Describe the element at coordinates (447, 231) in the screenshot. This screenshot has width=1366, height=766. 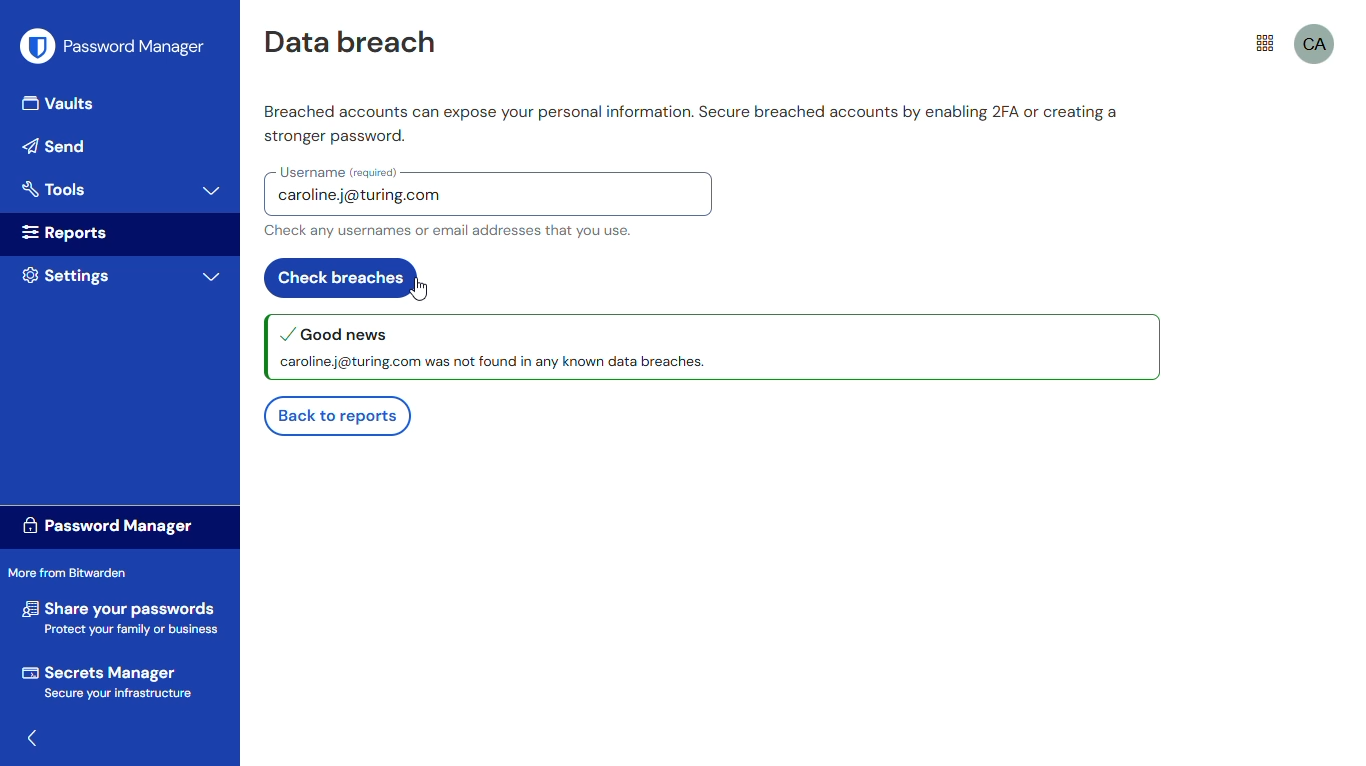
I see `Check any usernames or email addresses that you use.` at that location.